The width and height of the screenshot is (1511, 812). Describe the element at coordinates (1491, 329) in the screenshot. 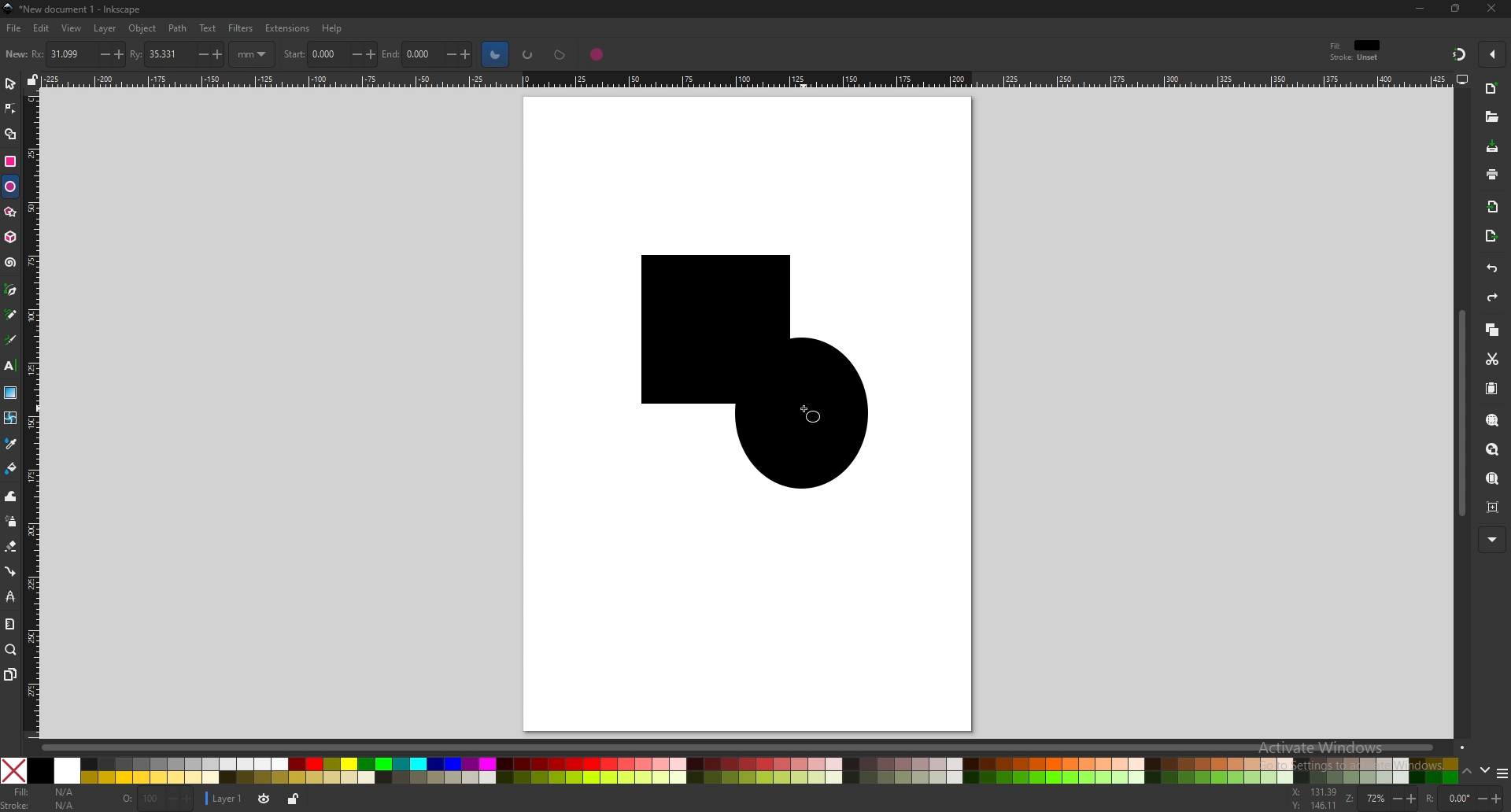

I see `copy` at that location.